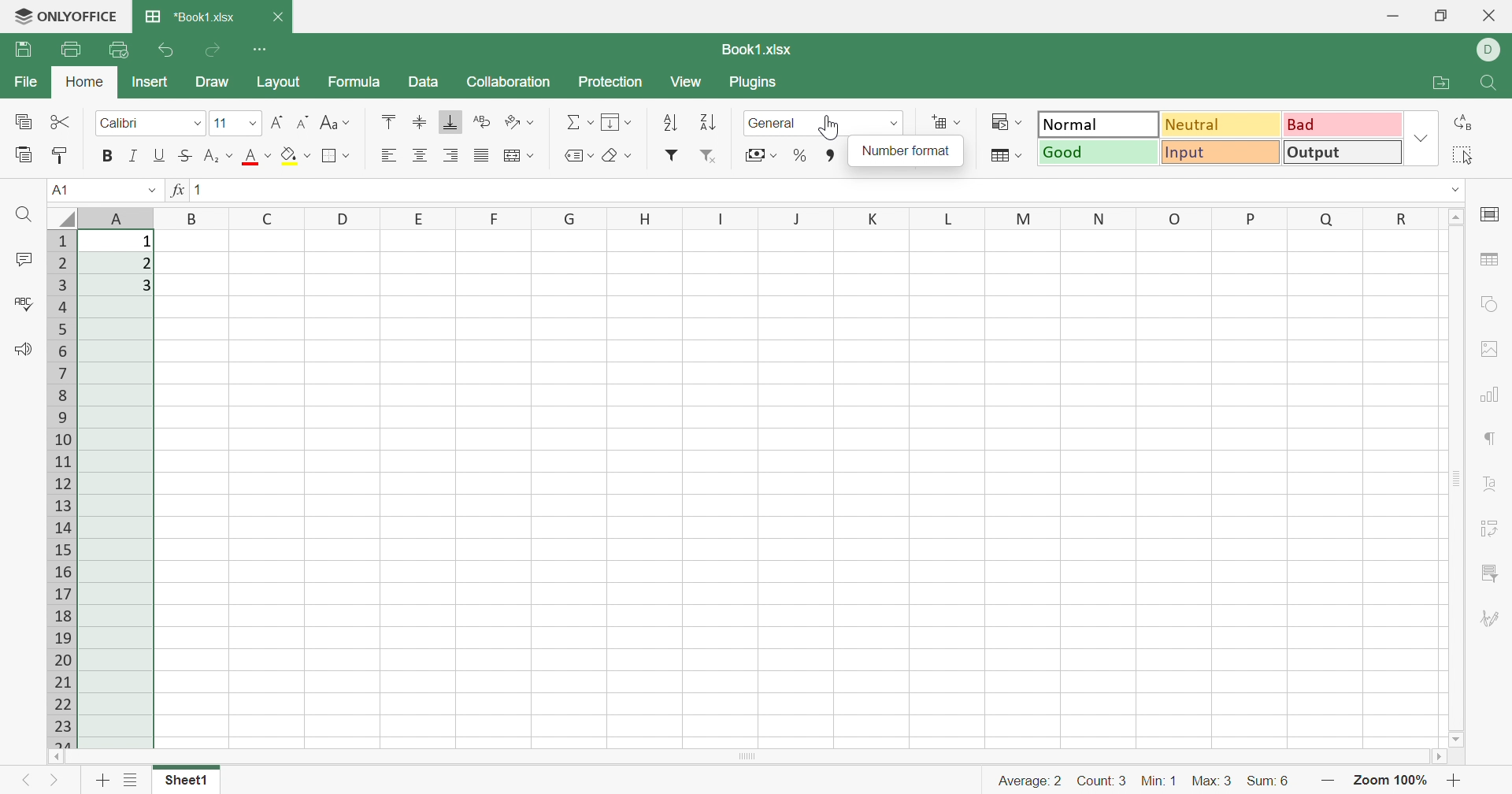 Image resolution: width=1512 pixels, height=794 pixels. Describe the element at coordinates (759, 50) in the screenshot. I see `Book1.xlsx` at that location.